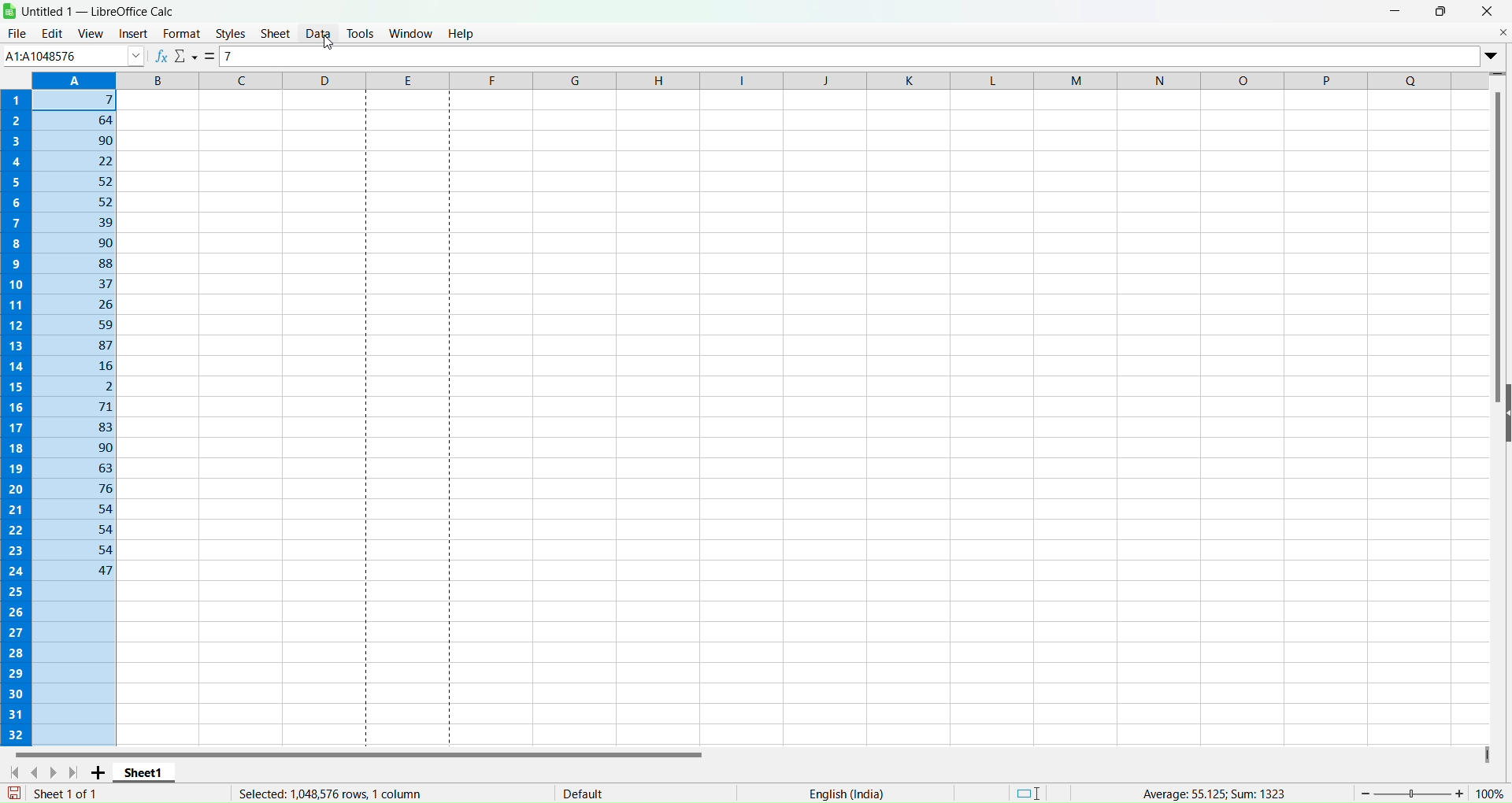  I want to click on Function Wizard, so click(161, 56).